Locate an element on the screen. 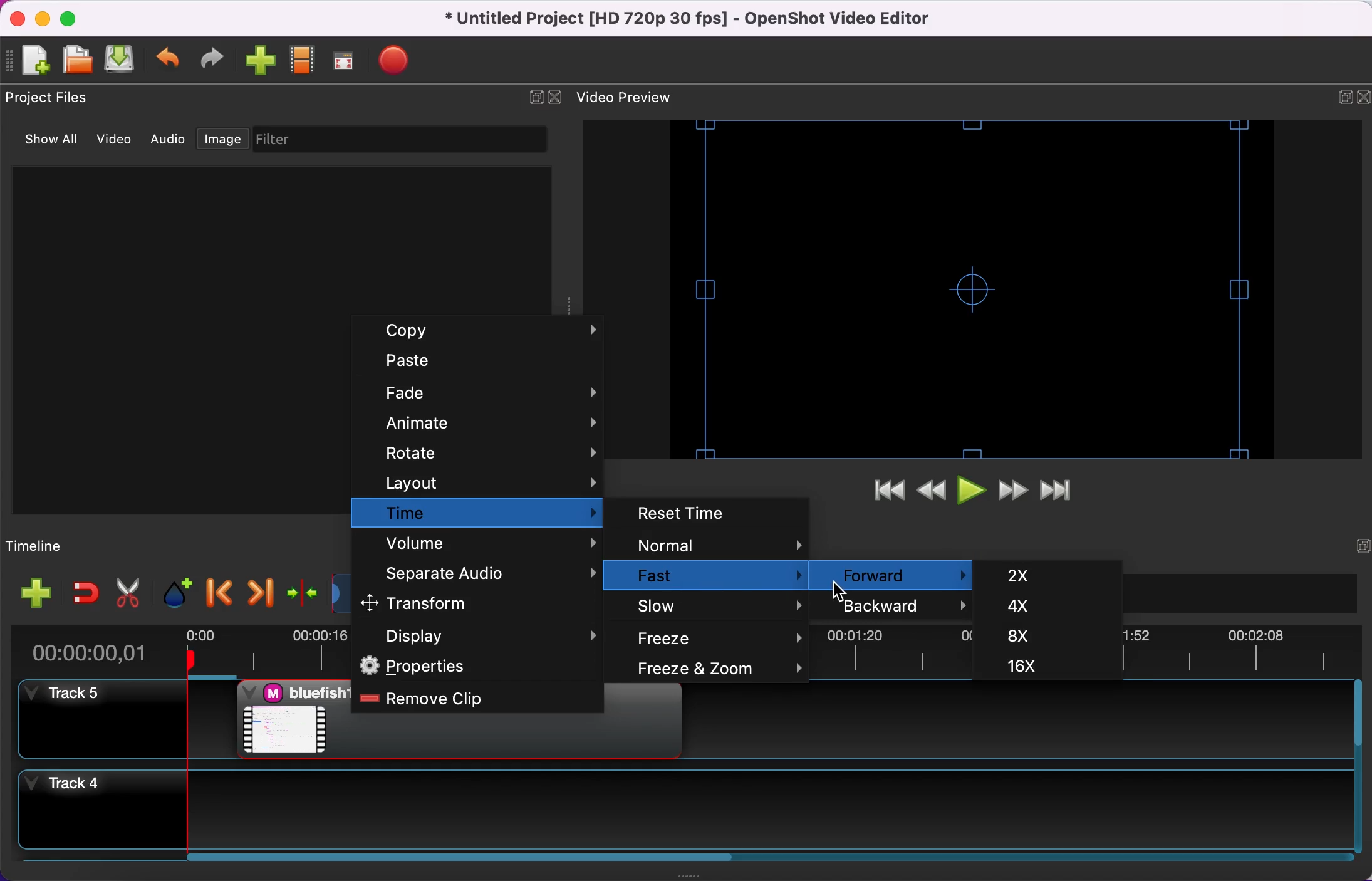 This screenshot has width=1372, height=881. expand/hide is located at coordinates (1333, 98).